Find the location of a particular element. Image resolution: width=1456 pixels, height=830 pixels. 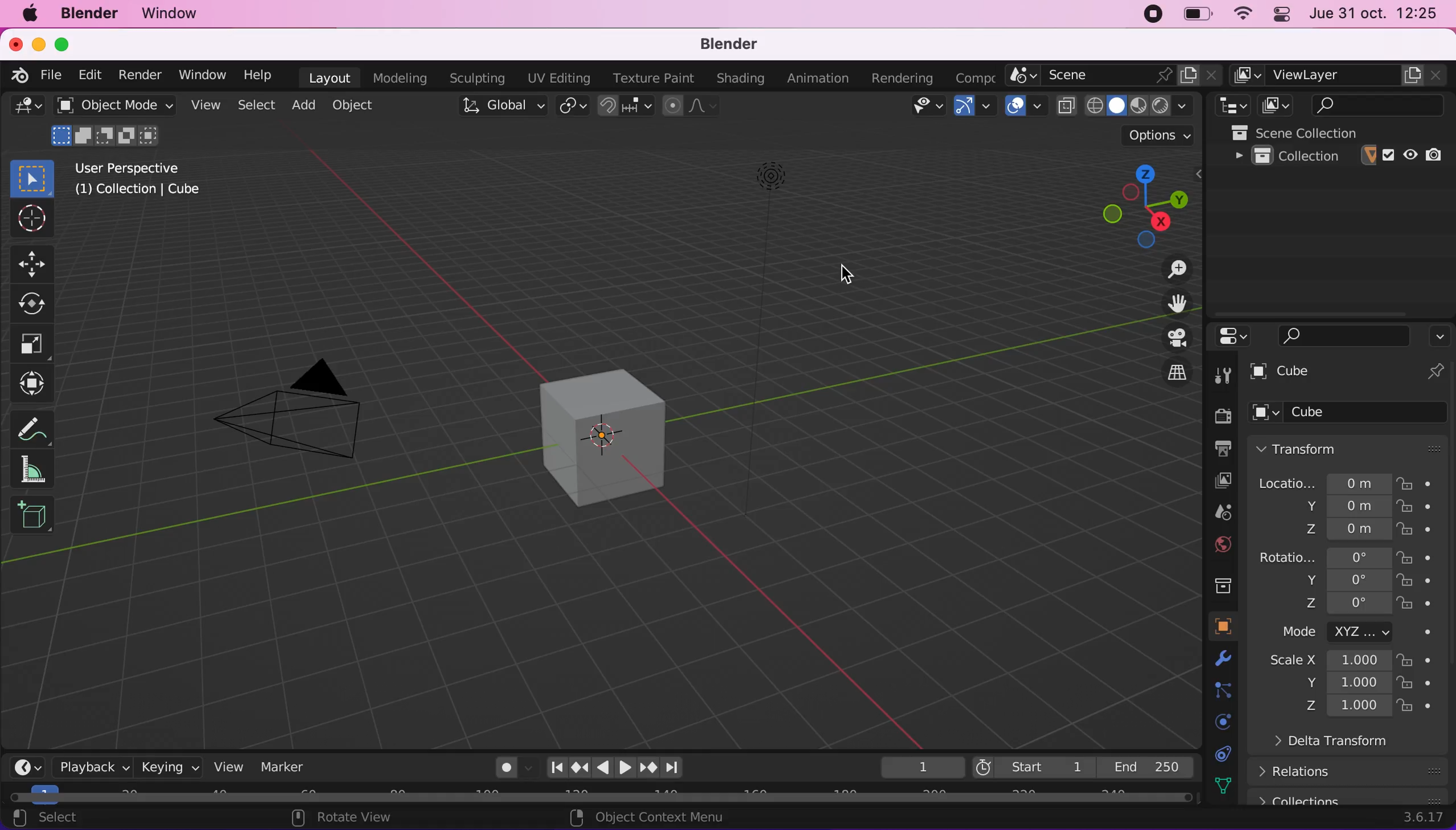

collections is located at coordinates (1217, 583).